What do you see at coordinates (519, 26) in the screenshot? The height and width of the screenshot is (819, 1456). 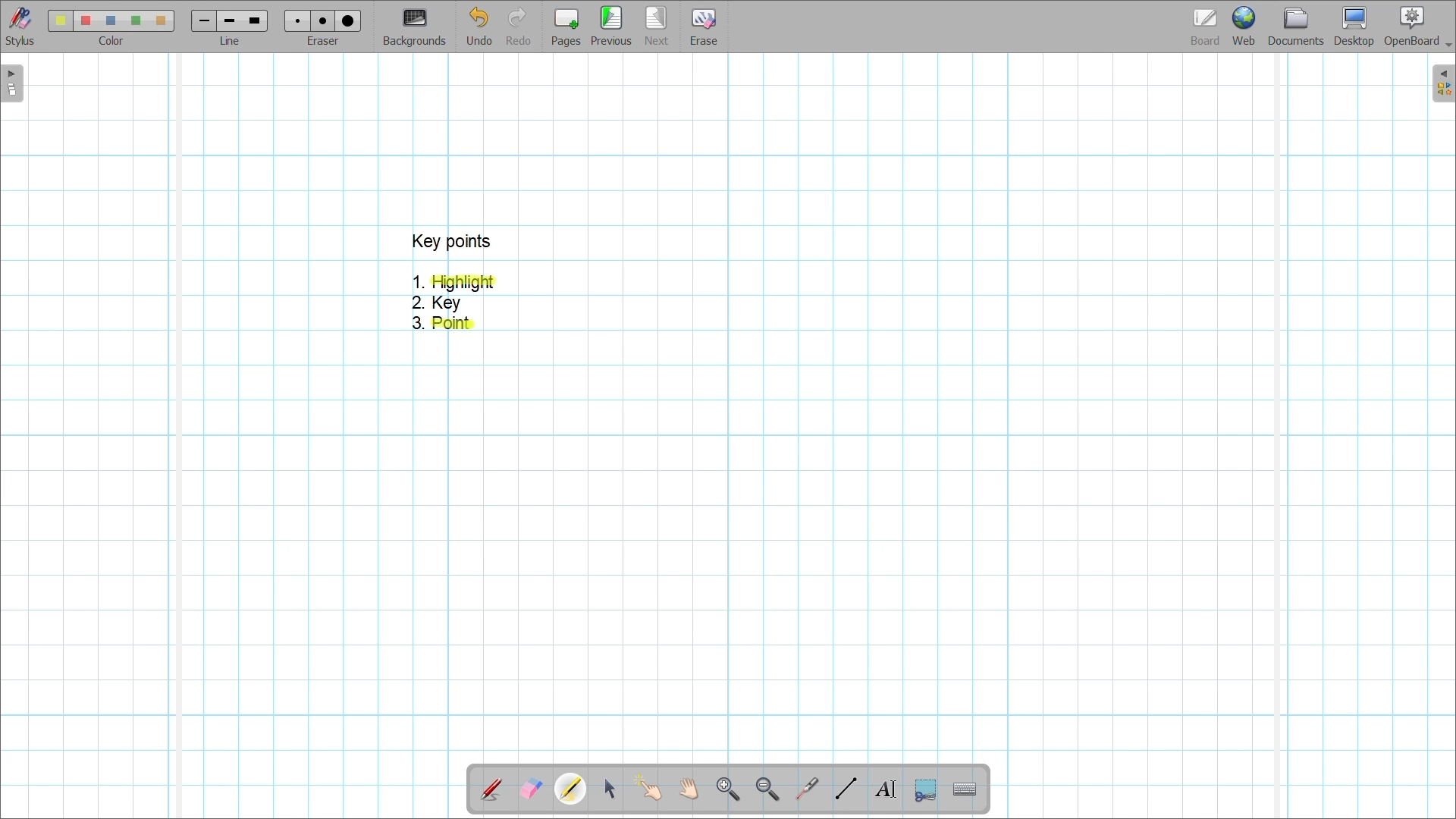 I see `Redo` at bounding box center [519, 26].